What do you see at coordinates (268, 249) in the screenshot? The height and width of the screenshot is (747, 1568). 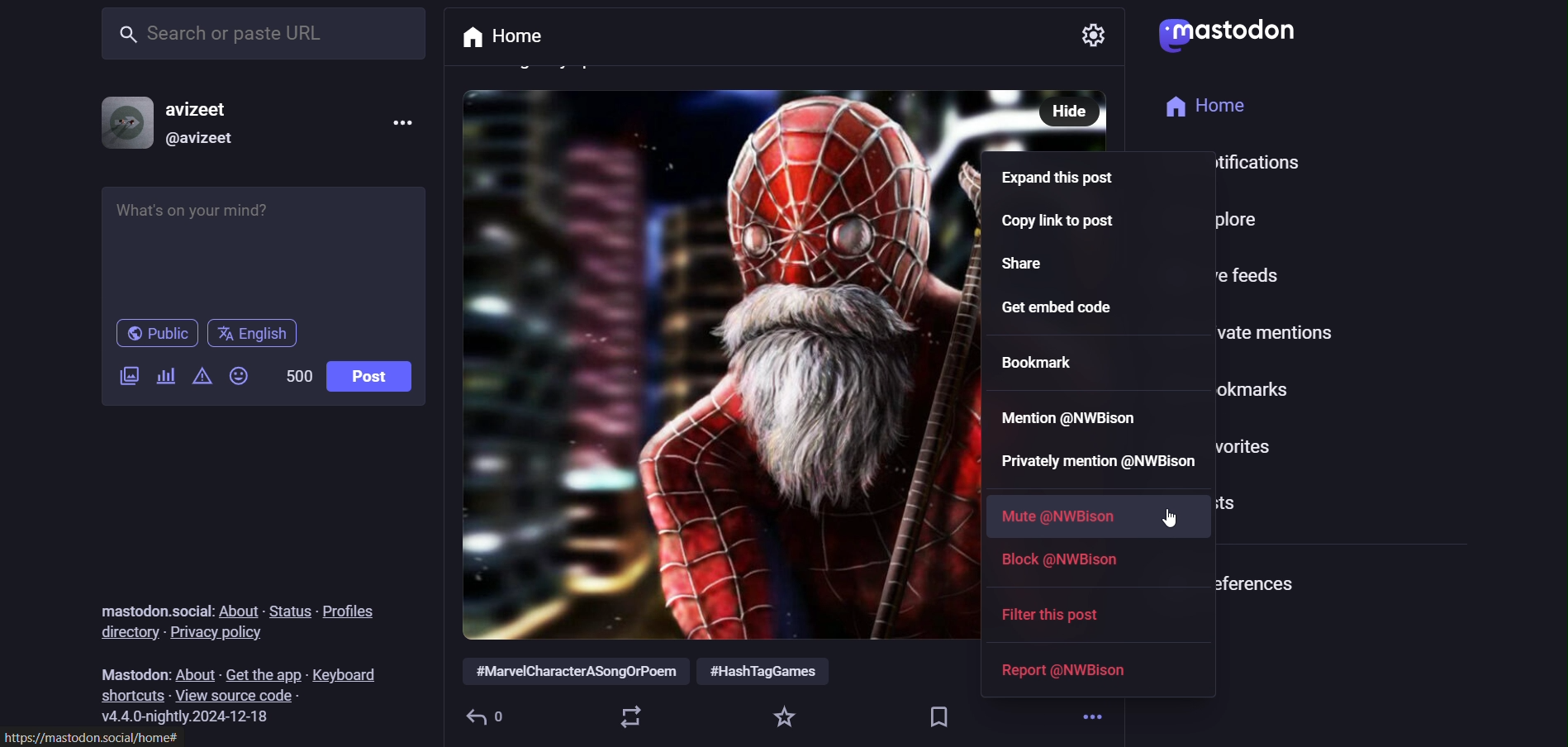 I see `whats on your mind` at bounding box center [268, 249].